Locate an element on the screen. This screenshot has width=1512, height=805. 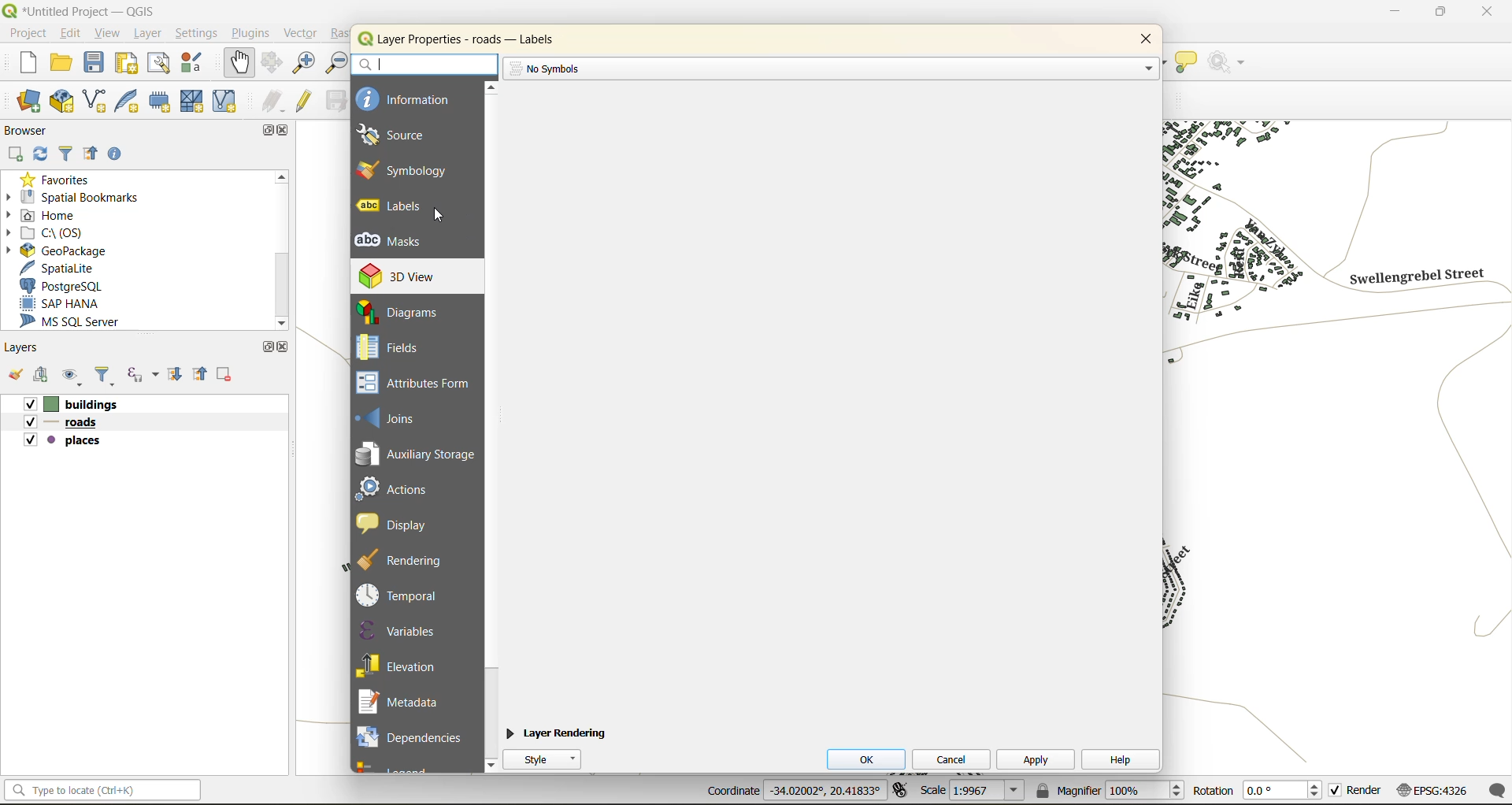
print layout is located at coordinates (128, 65).